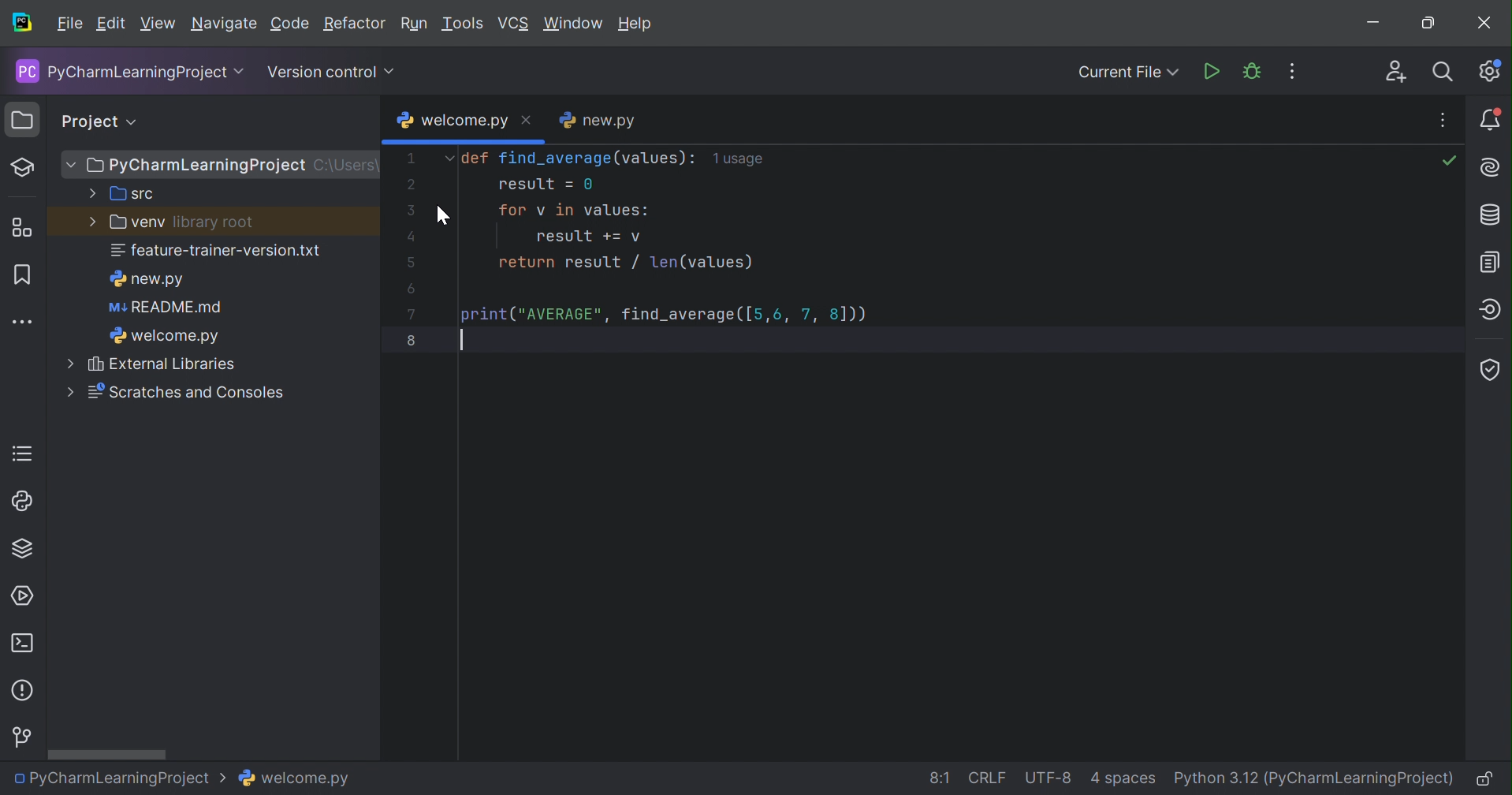 This screenshot has width=1512, height=795. Describe the element at coordinates (1446, 72) in the screenshot. I see `Search everywhere` at that location.